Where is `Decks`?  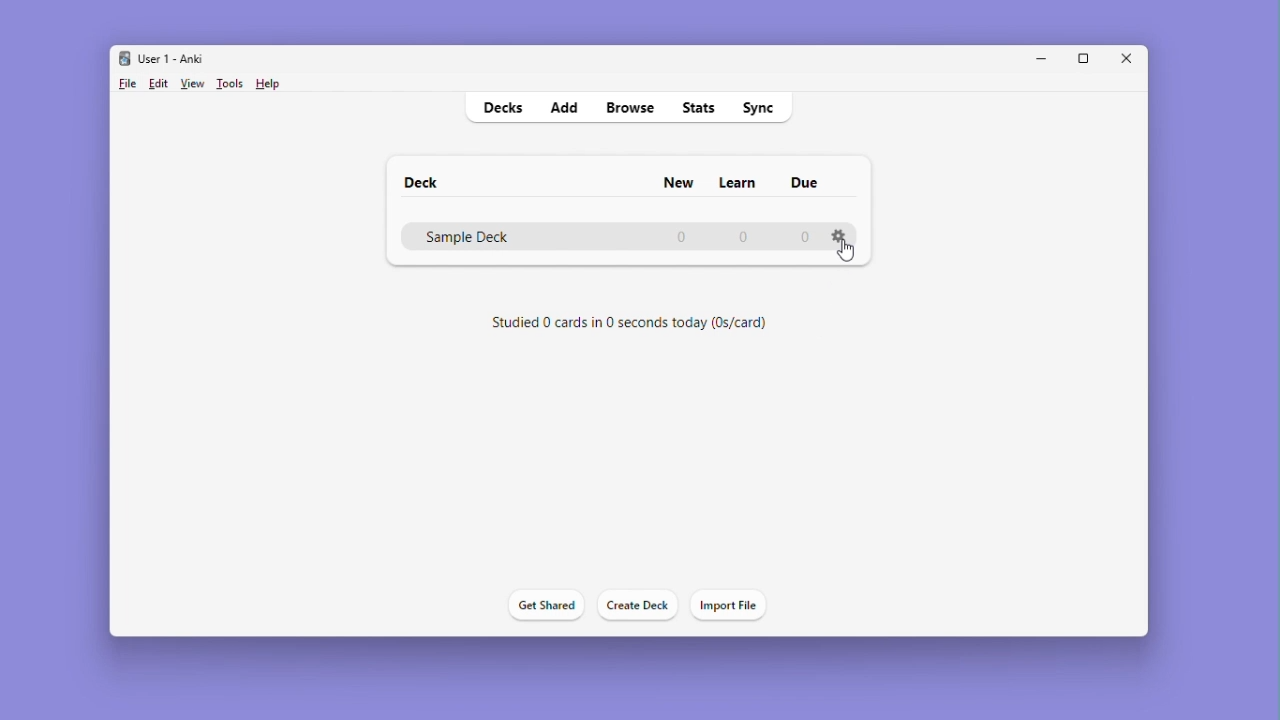 Decks is located at coordinates (501, 108).